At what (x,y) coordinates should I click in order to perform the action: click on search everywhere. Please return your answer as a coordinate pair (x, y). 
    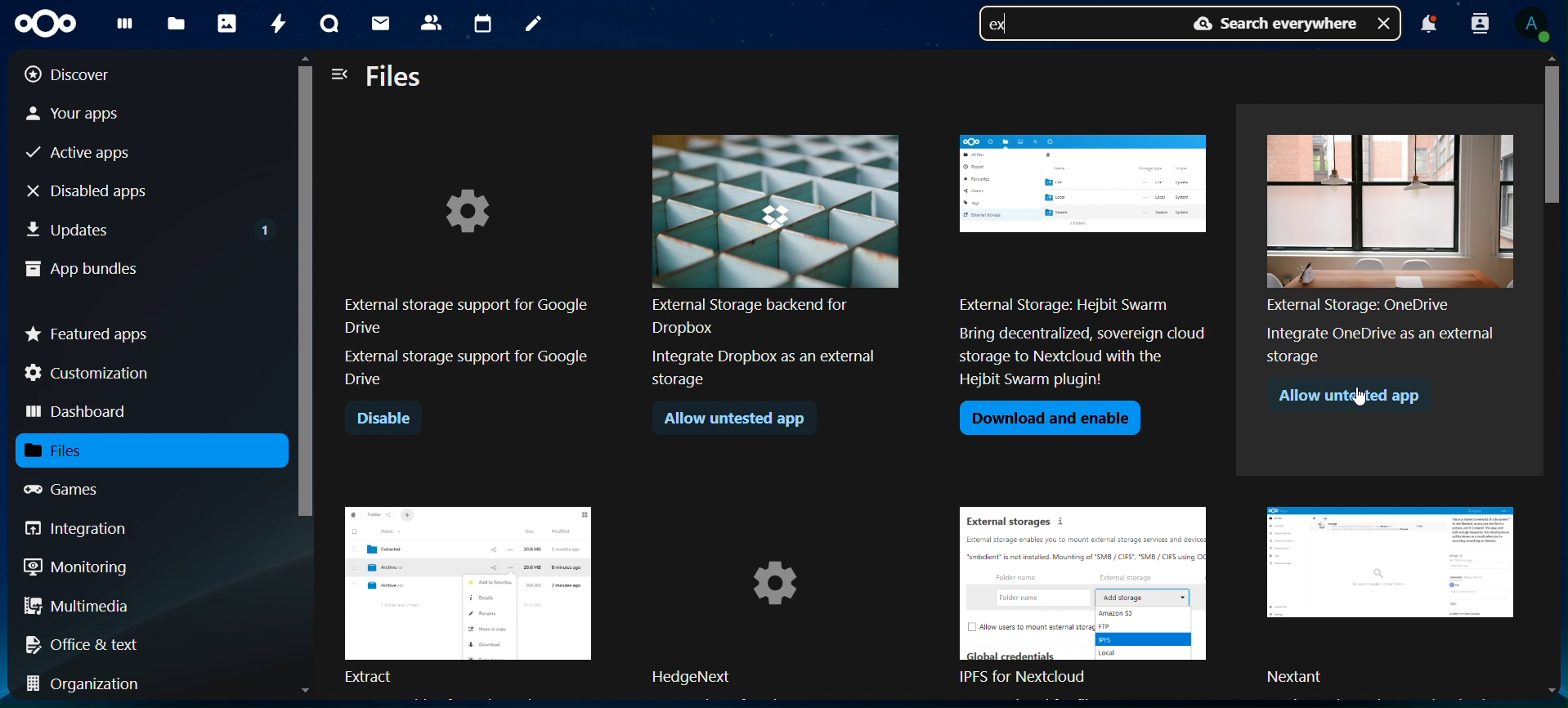
    Looking at the image, I should click on (1270, 25).